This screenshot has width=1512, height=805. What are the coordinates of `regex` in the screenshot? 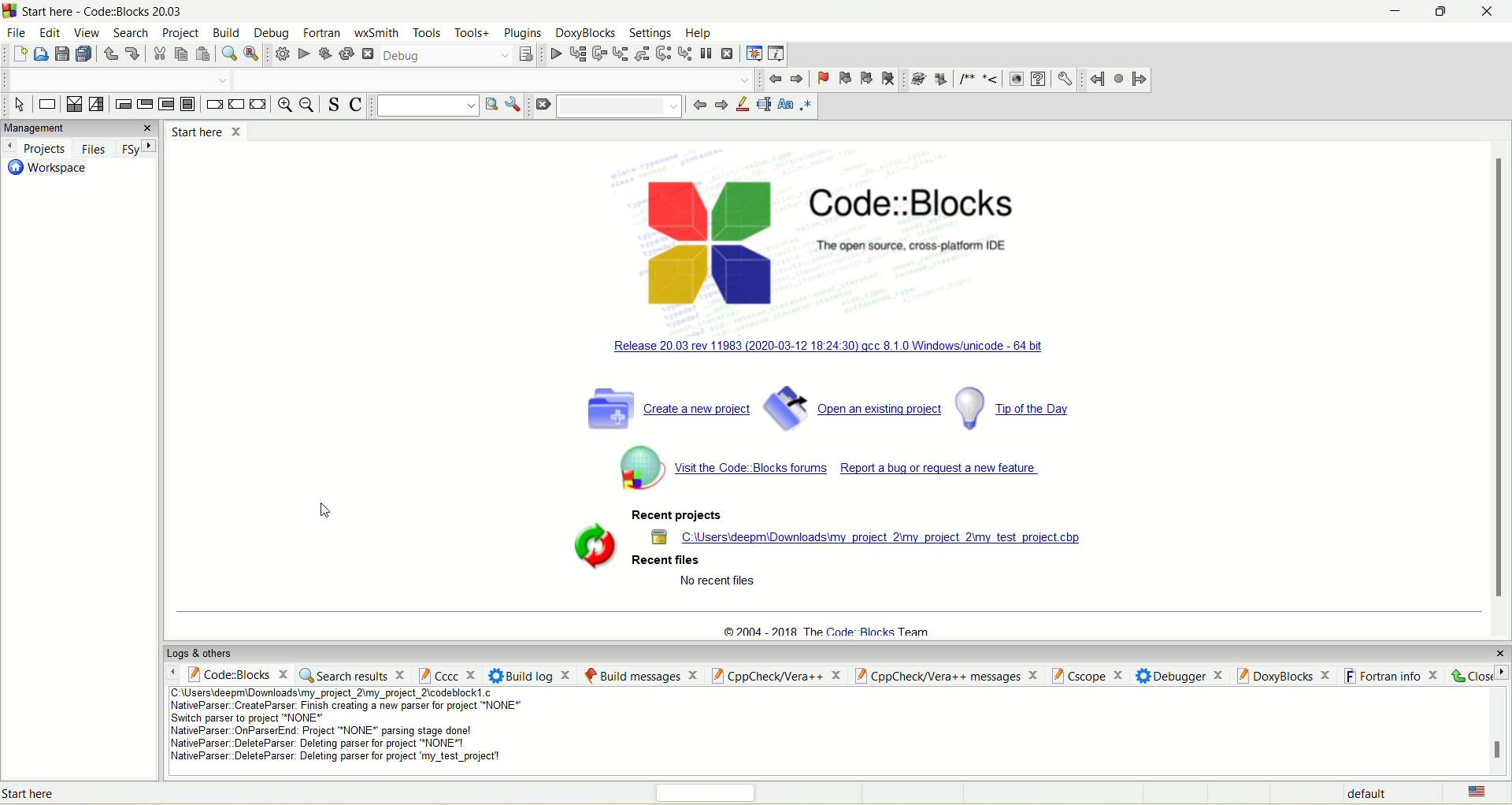 It's located at (806, 106).